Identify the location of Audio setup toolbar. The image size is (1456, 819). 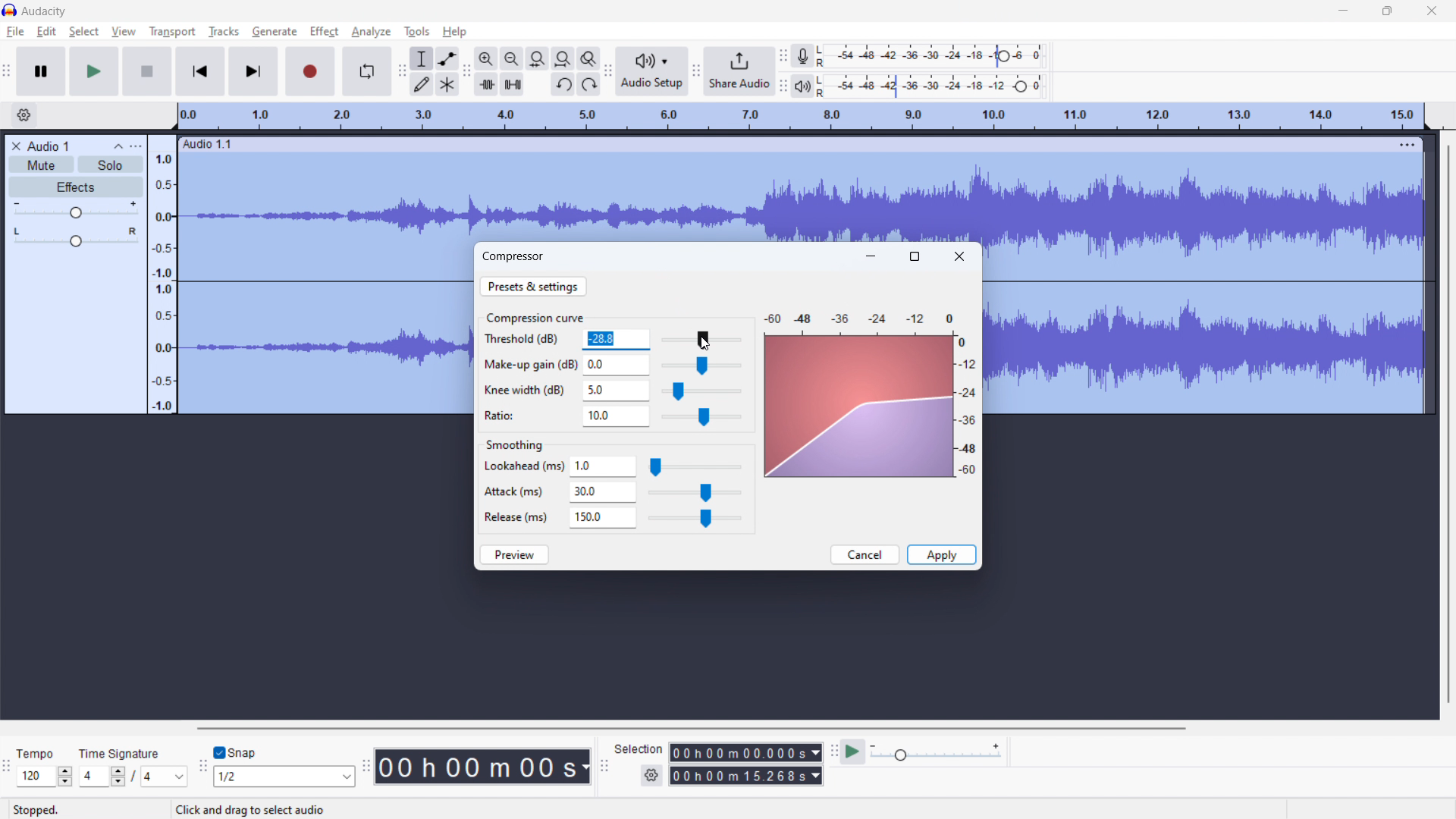
(608, 72).